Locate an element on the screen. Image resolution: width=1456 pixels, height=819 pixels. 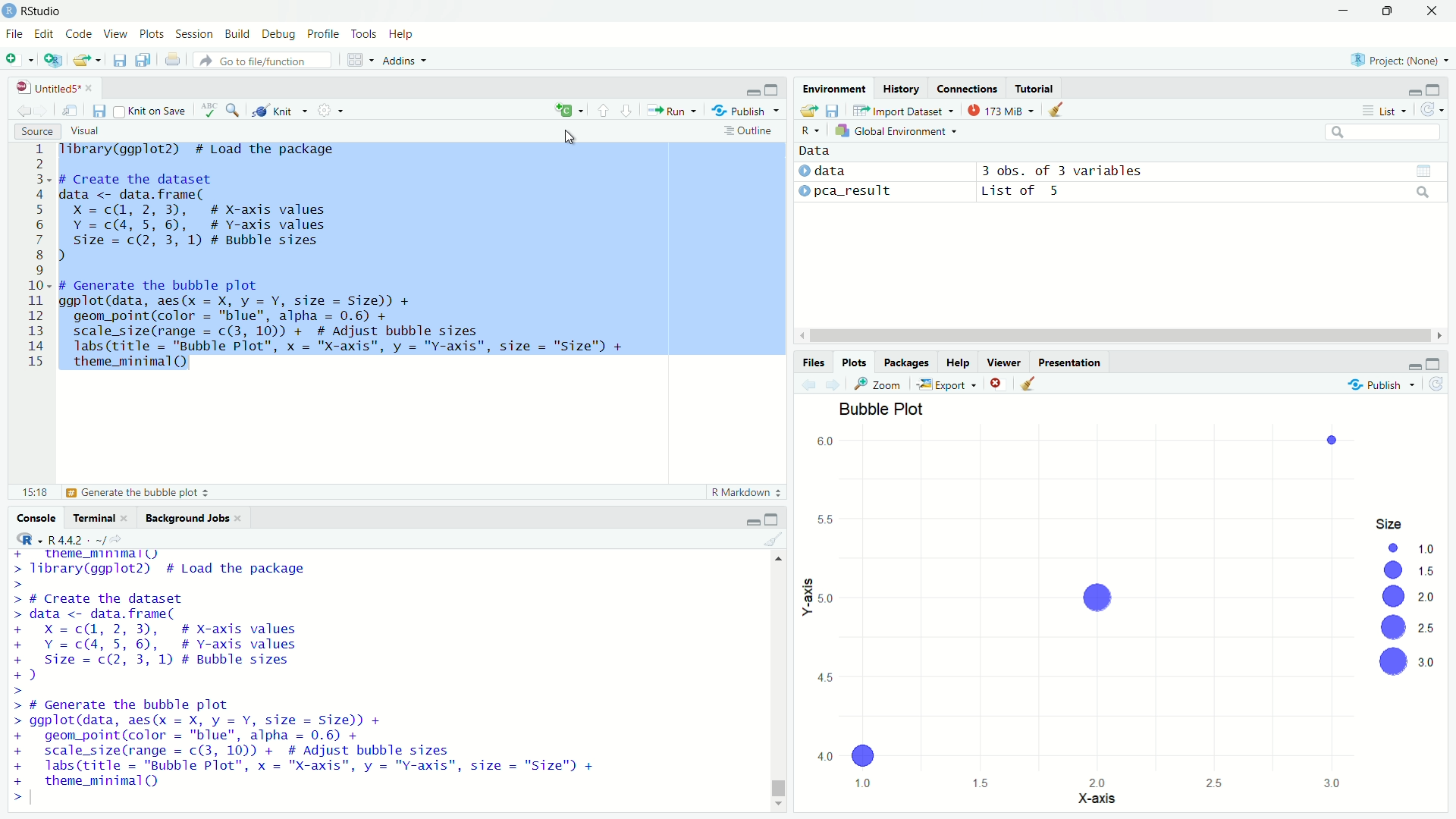
minimize is located at coordinates (1342, 11).